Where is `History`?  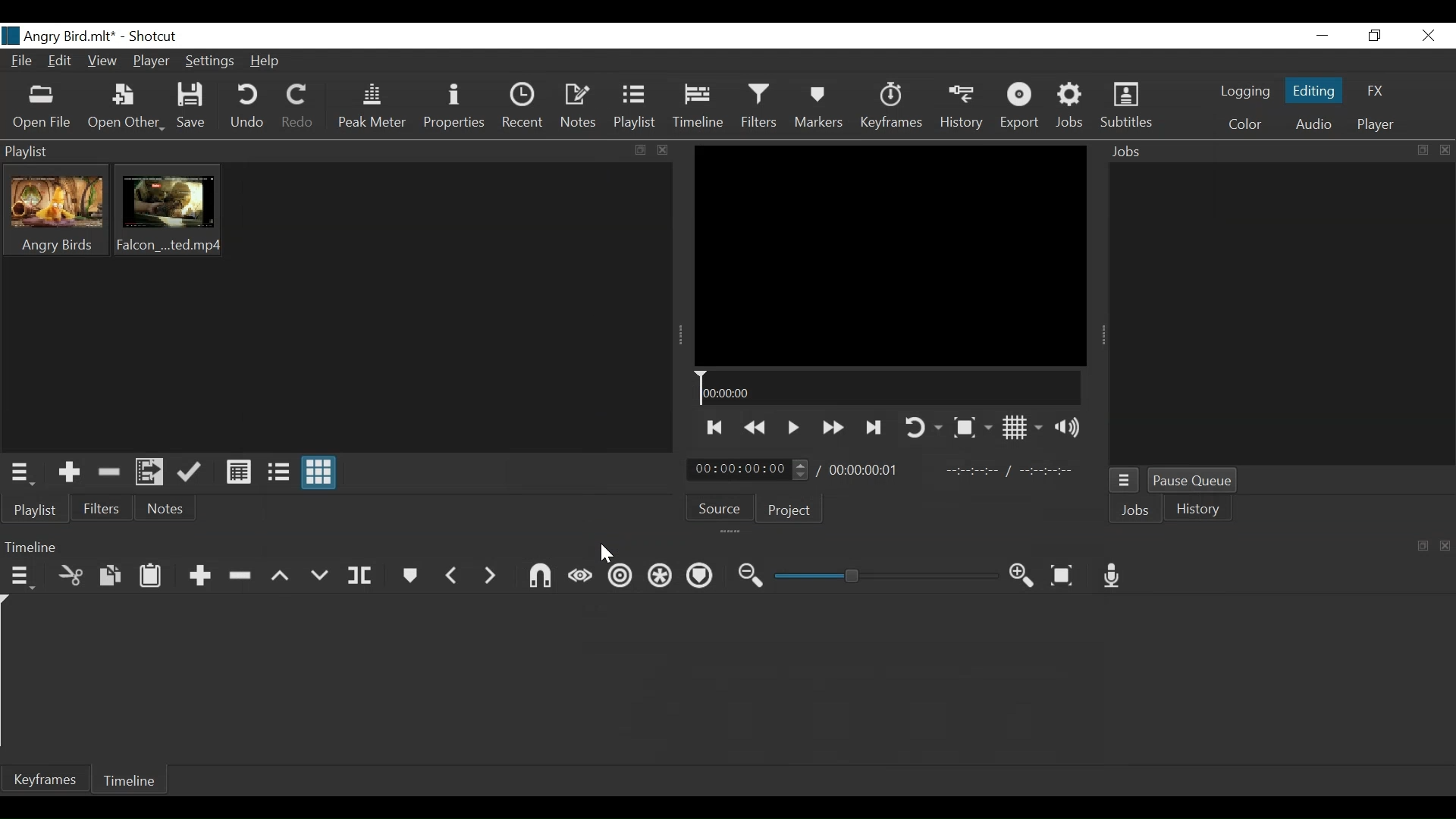
History is located at coordinates (961, 106).